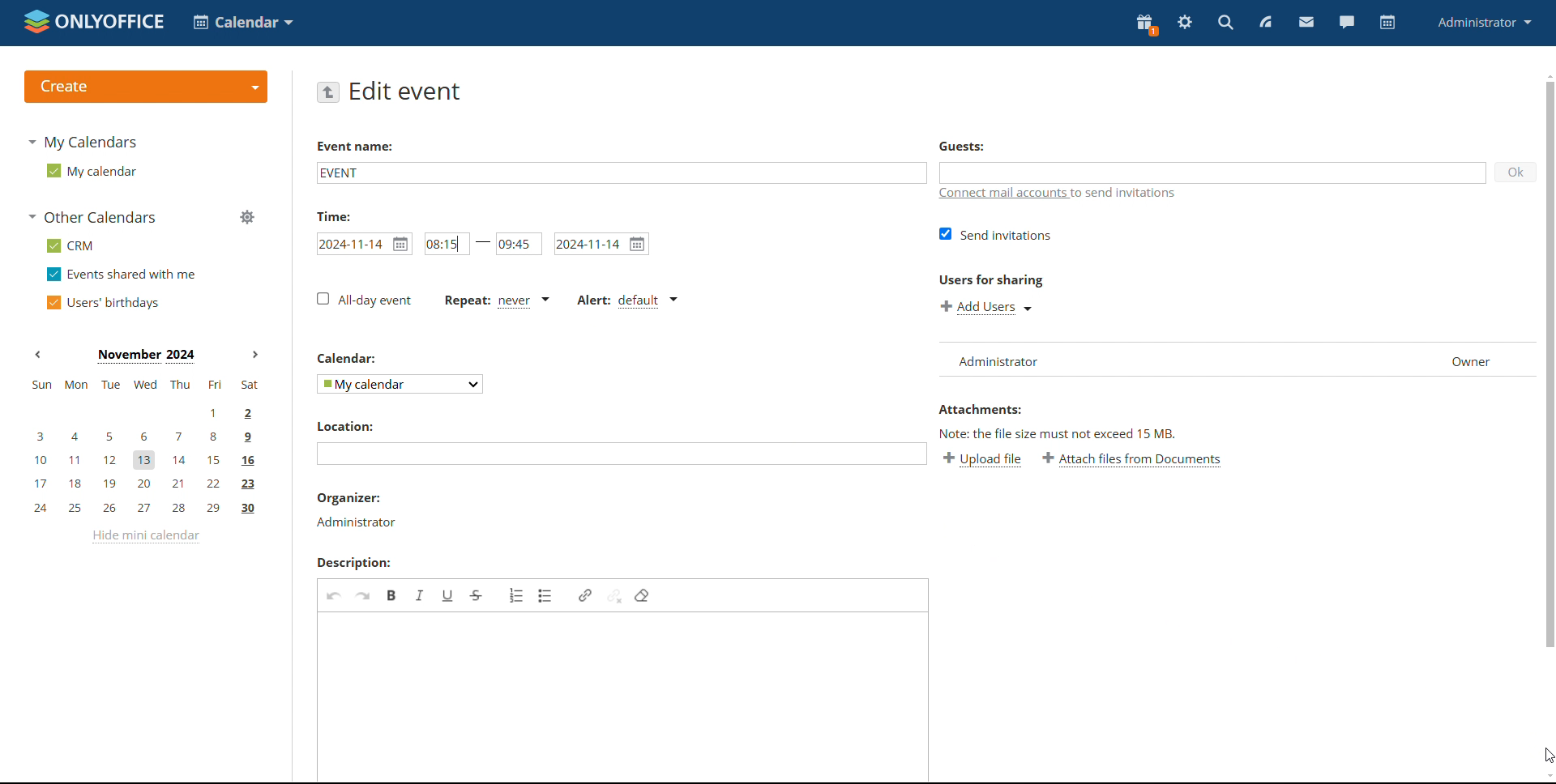  What do you see at coordinates (71, 245) in the screenshot?
I see `CRM` at bounding box center [71, 245].